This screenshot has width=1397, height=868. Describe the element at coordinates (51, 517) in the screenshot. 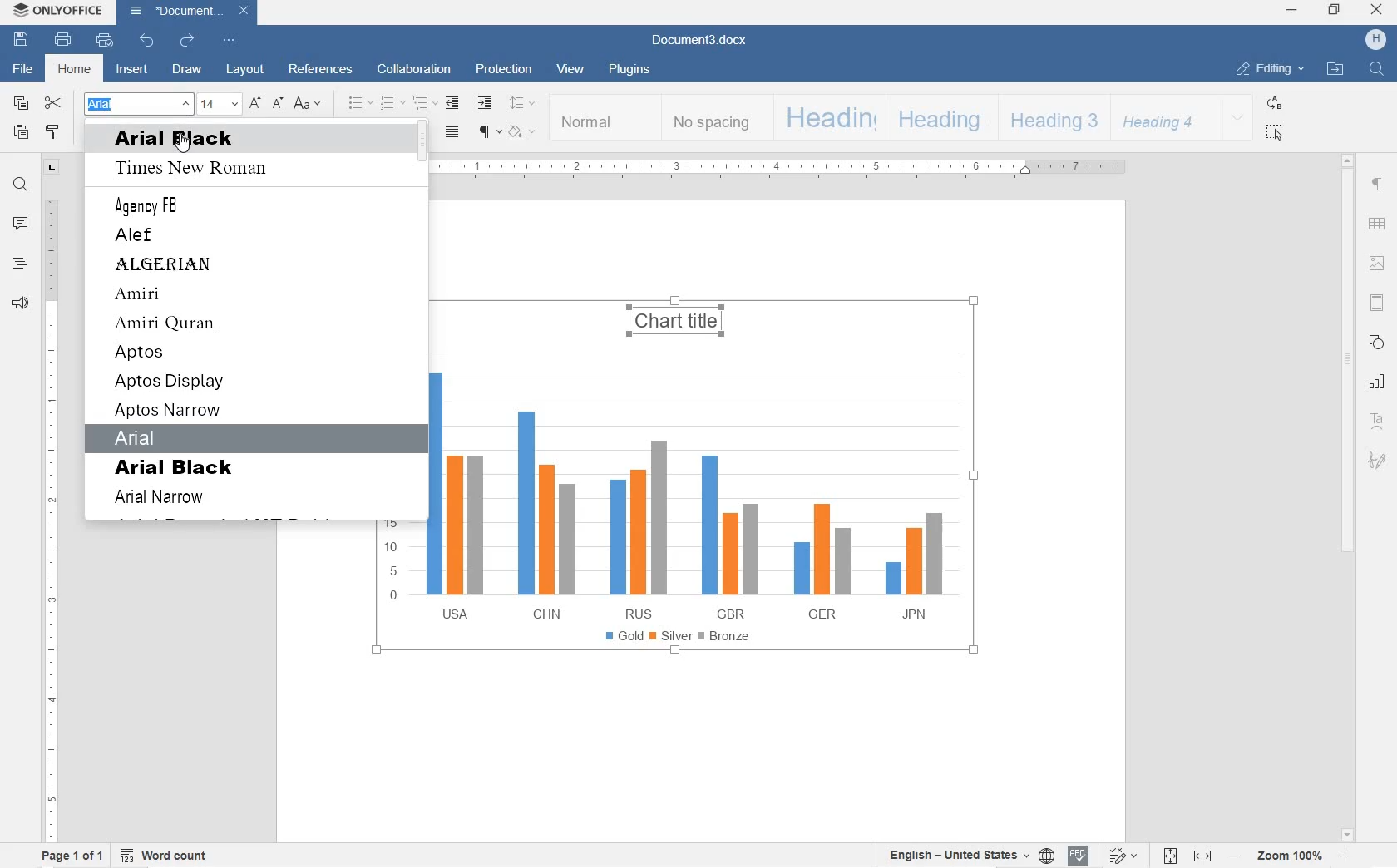

I see `RULER` at that location.